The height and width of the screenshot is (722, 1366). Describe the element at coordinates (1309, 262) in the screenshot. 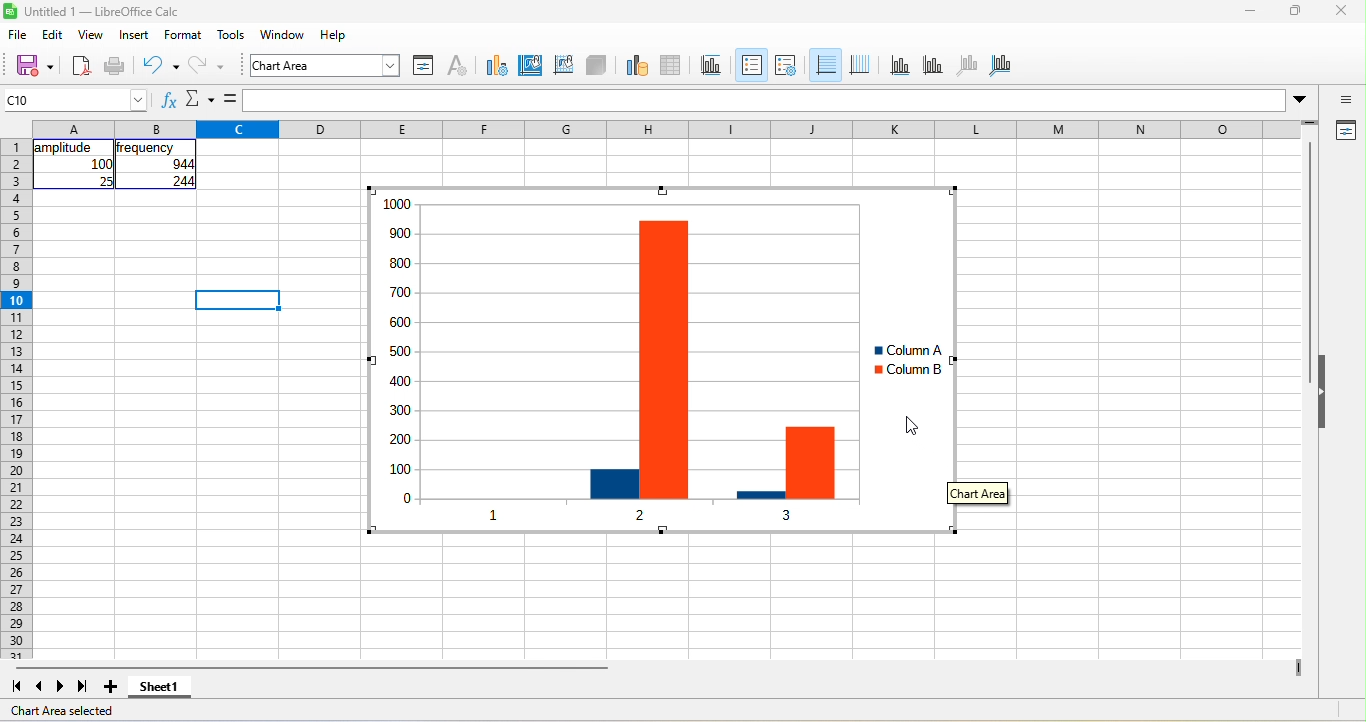

I see `Vertical slide bar` at that location.